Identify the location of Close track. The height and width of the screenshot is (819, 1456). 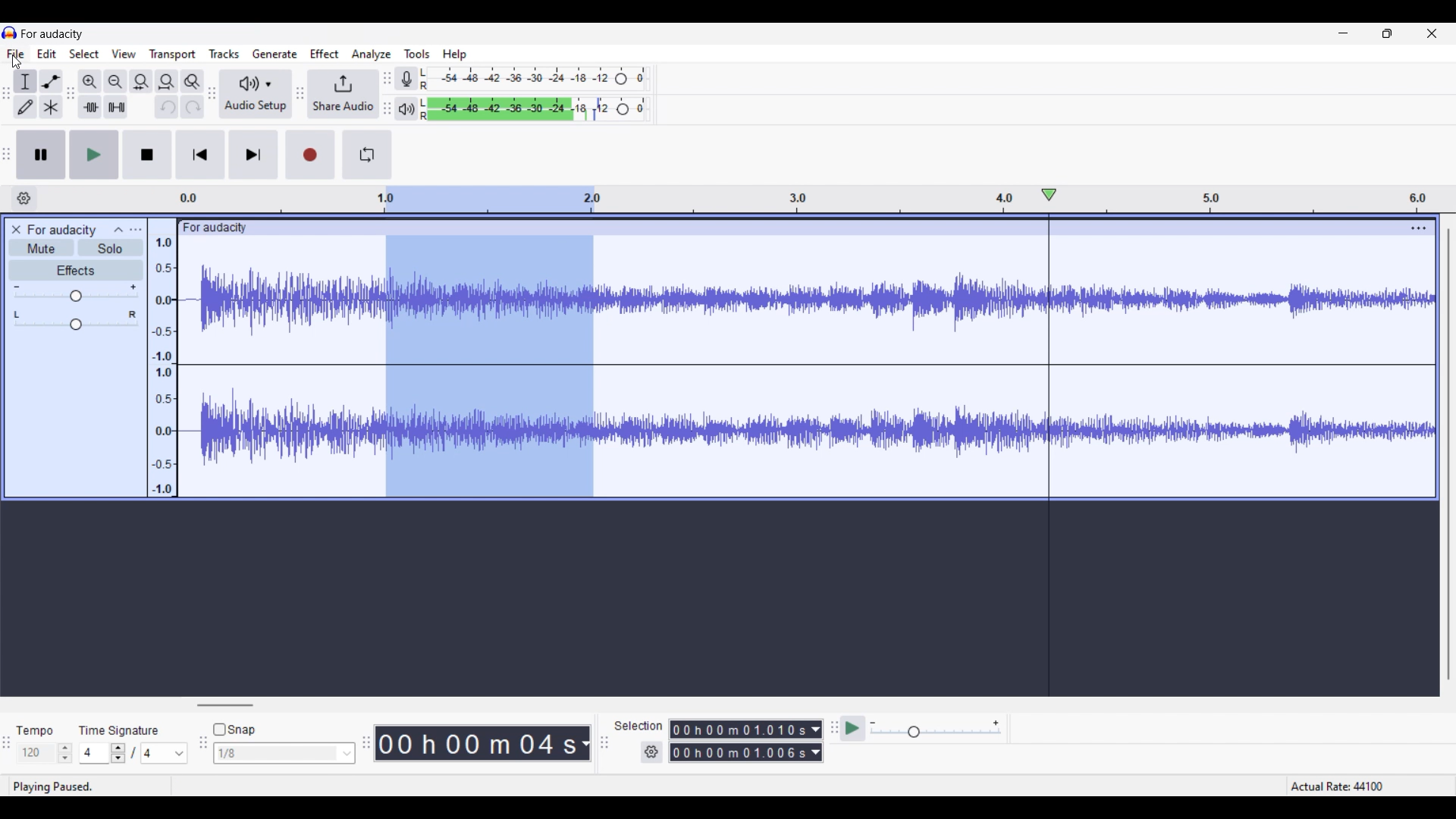
(16, 230).